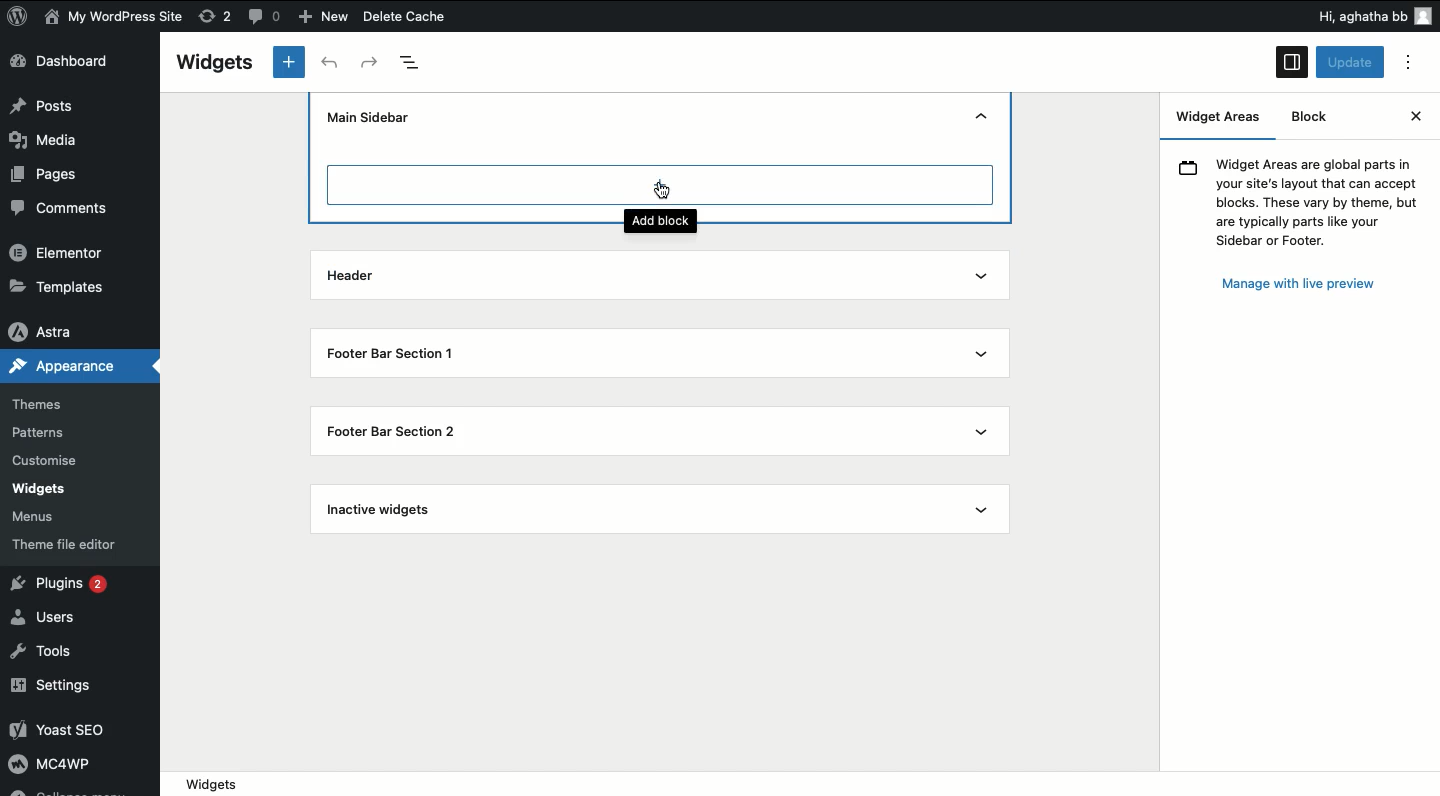 Image resolution: width=1440 pixels, height=796 pixels. What do you see at coordinates (981, 116) in the screenshot?
I see `Hide` at bounding box center [981, 116].